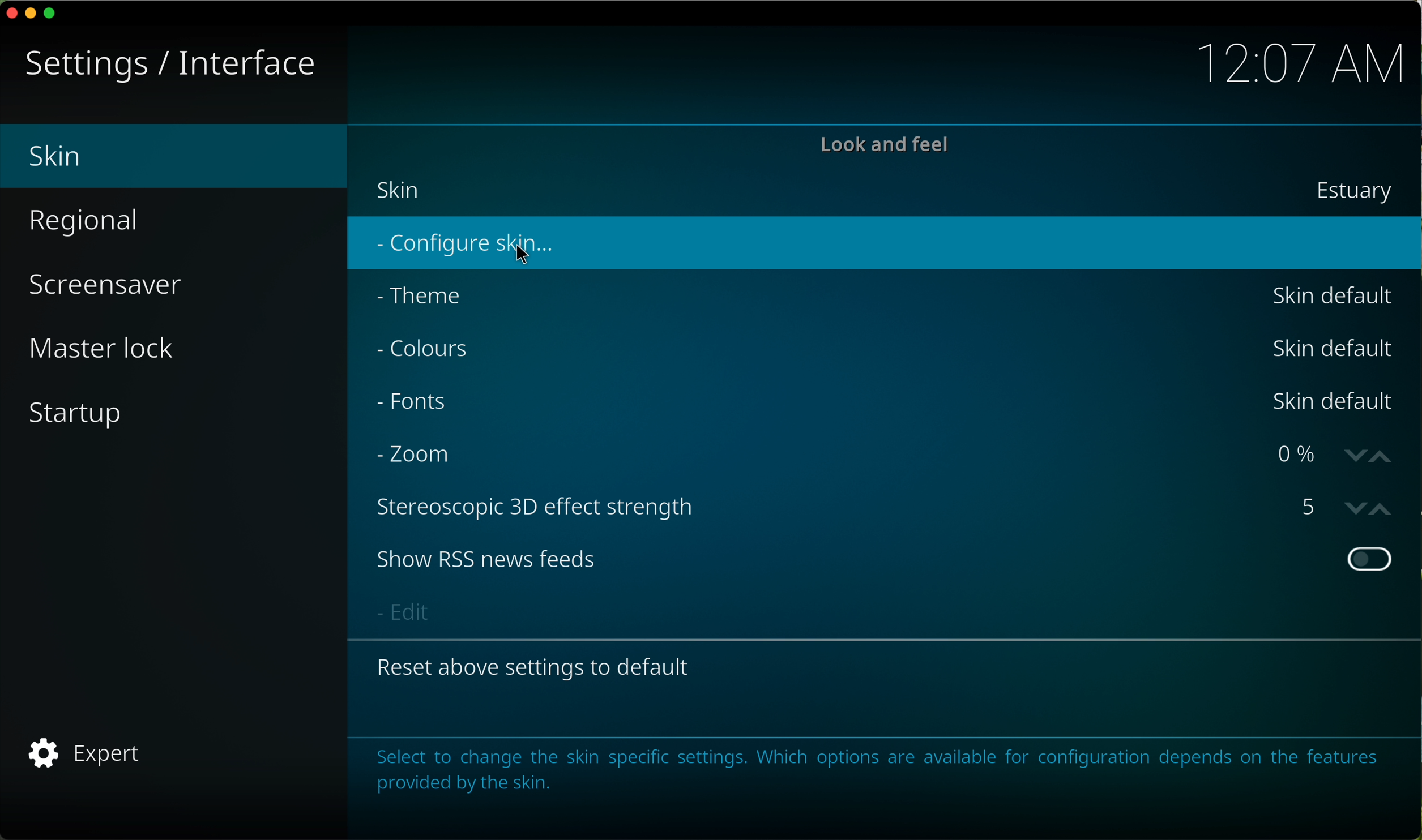 The image size is (1422, 840). Describe the element at coordinates (170, 65) in the screenshot. I see `settings/interface` at that location.